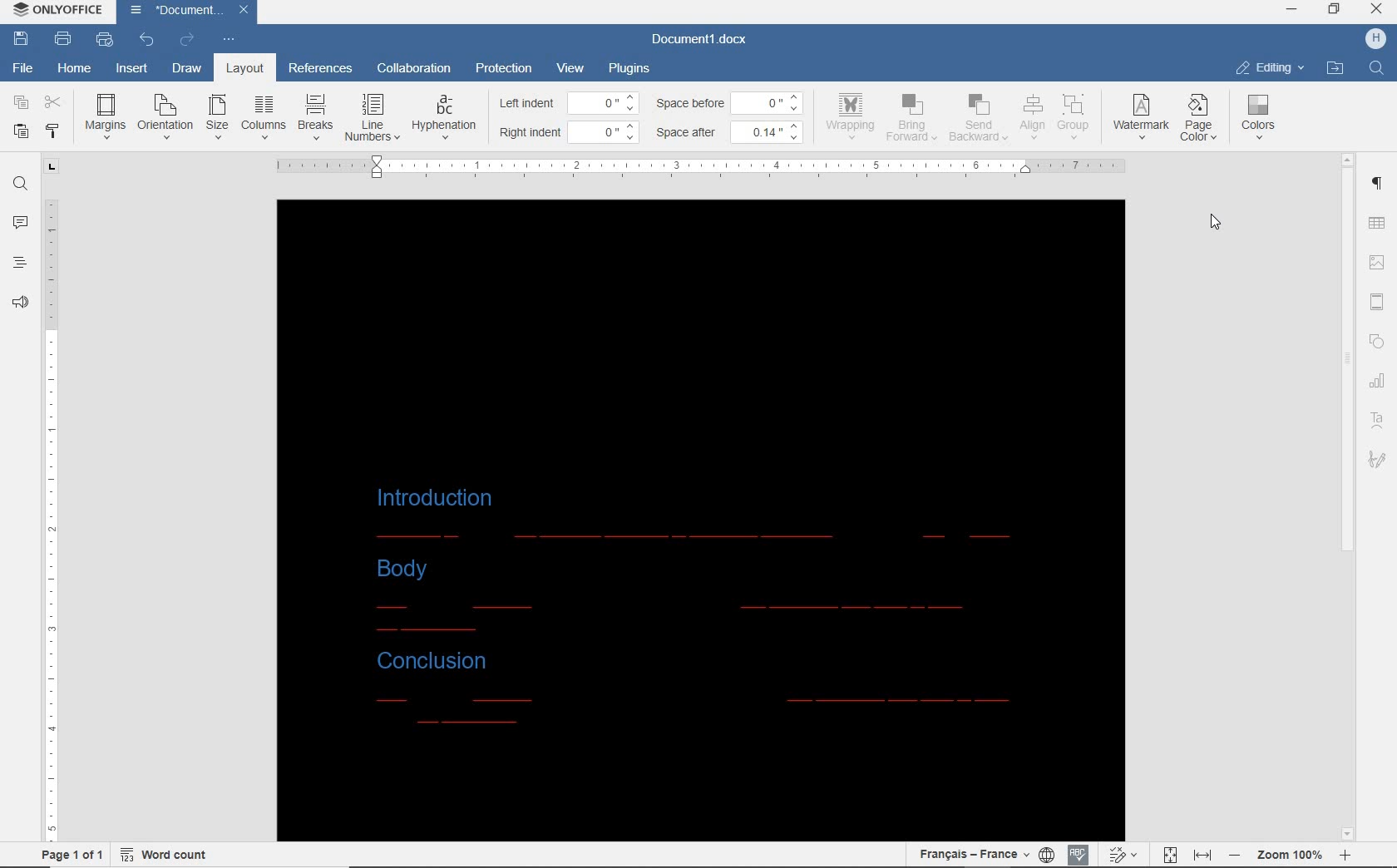  I want to click on fit to width, so click(1203, 855).